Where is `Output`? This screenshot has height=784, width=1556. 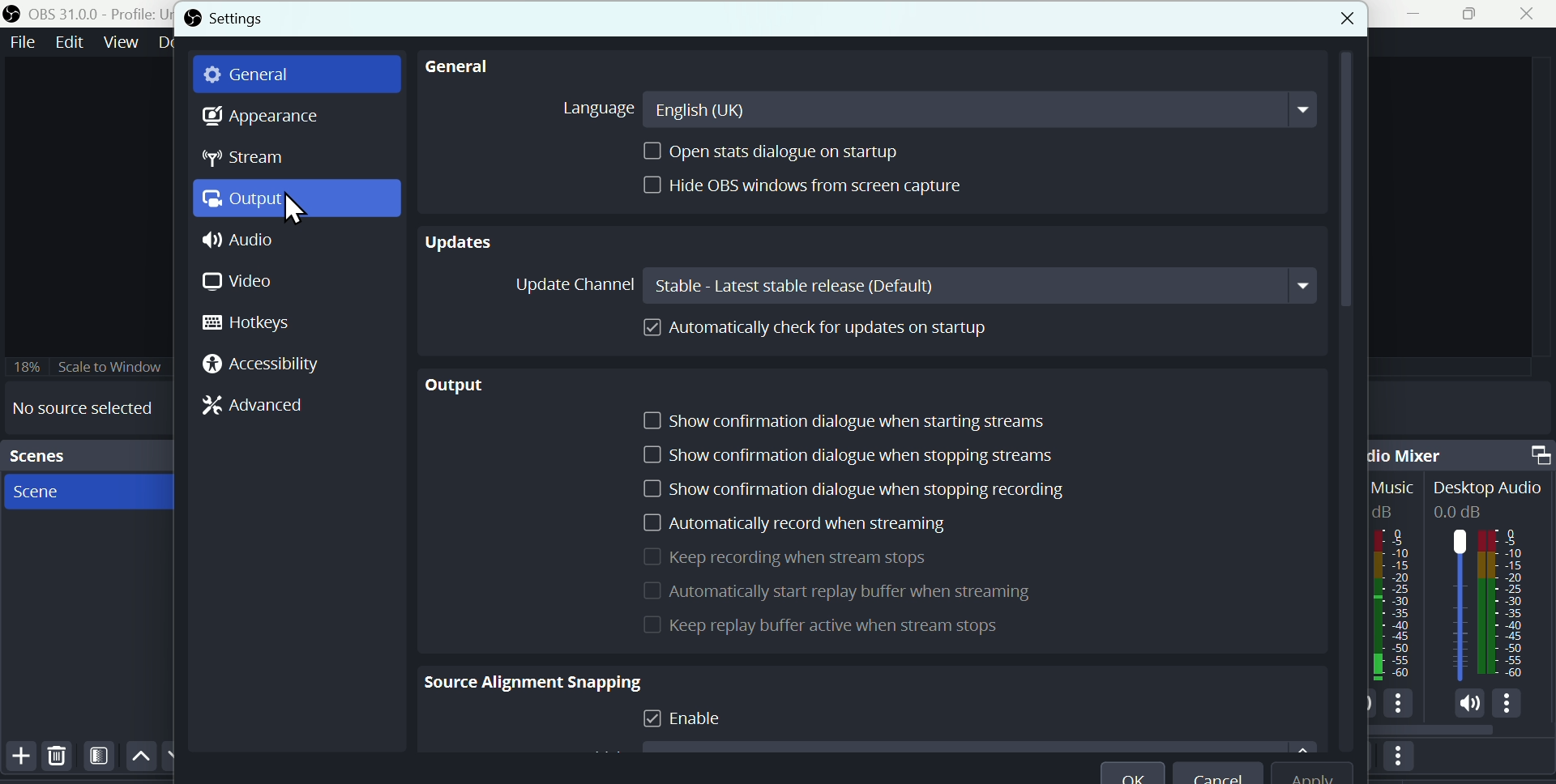 Output is located at coordinates (468, 387).